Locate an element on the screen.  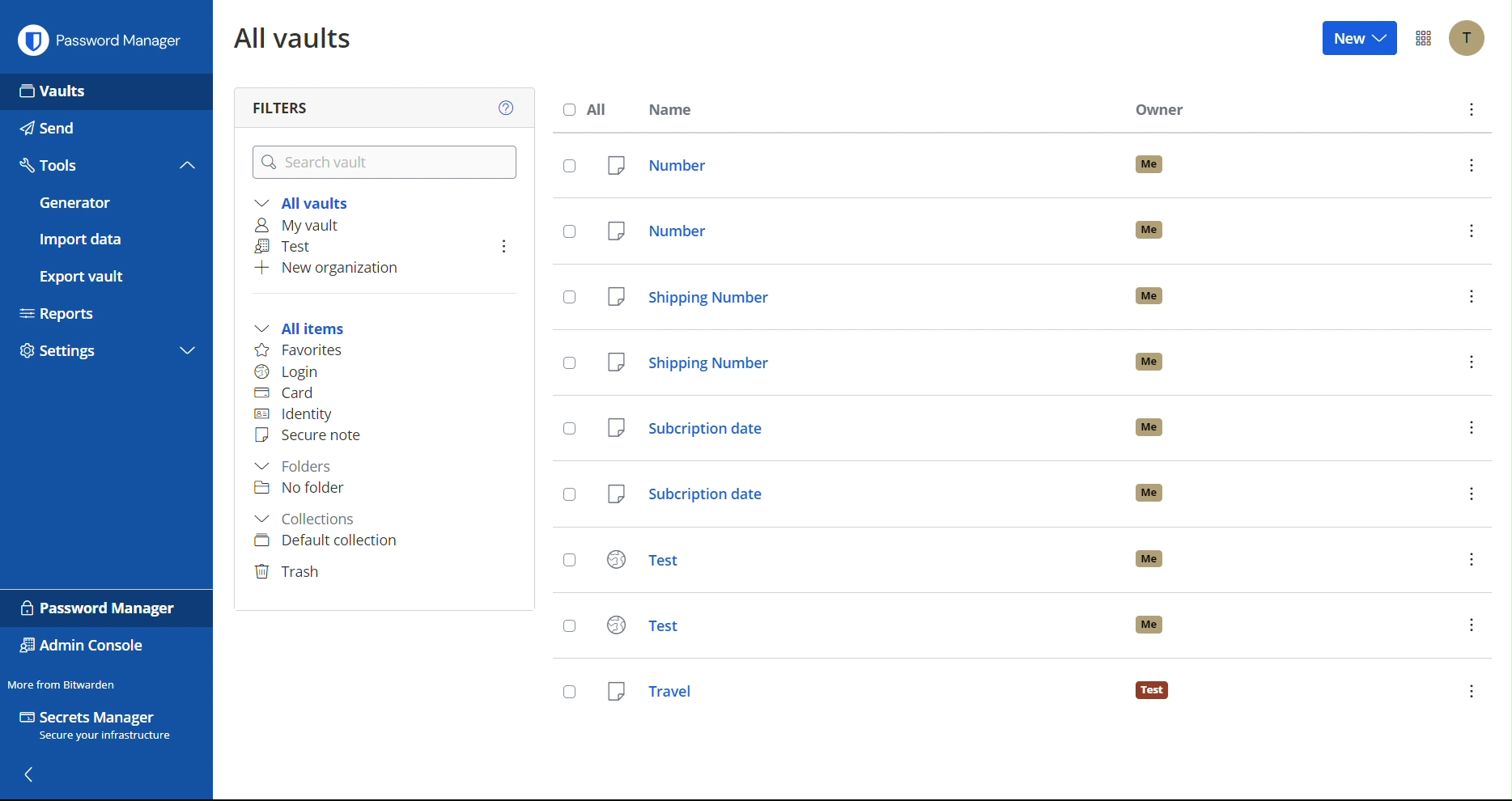
select entry is located at coordinates (568, 364).